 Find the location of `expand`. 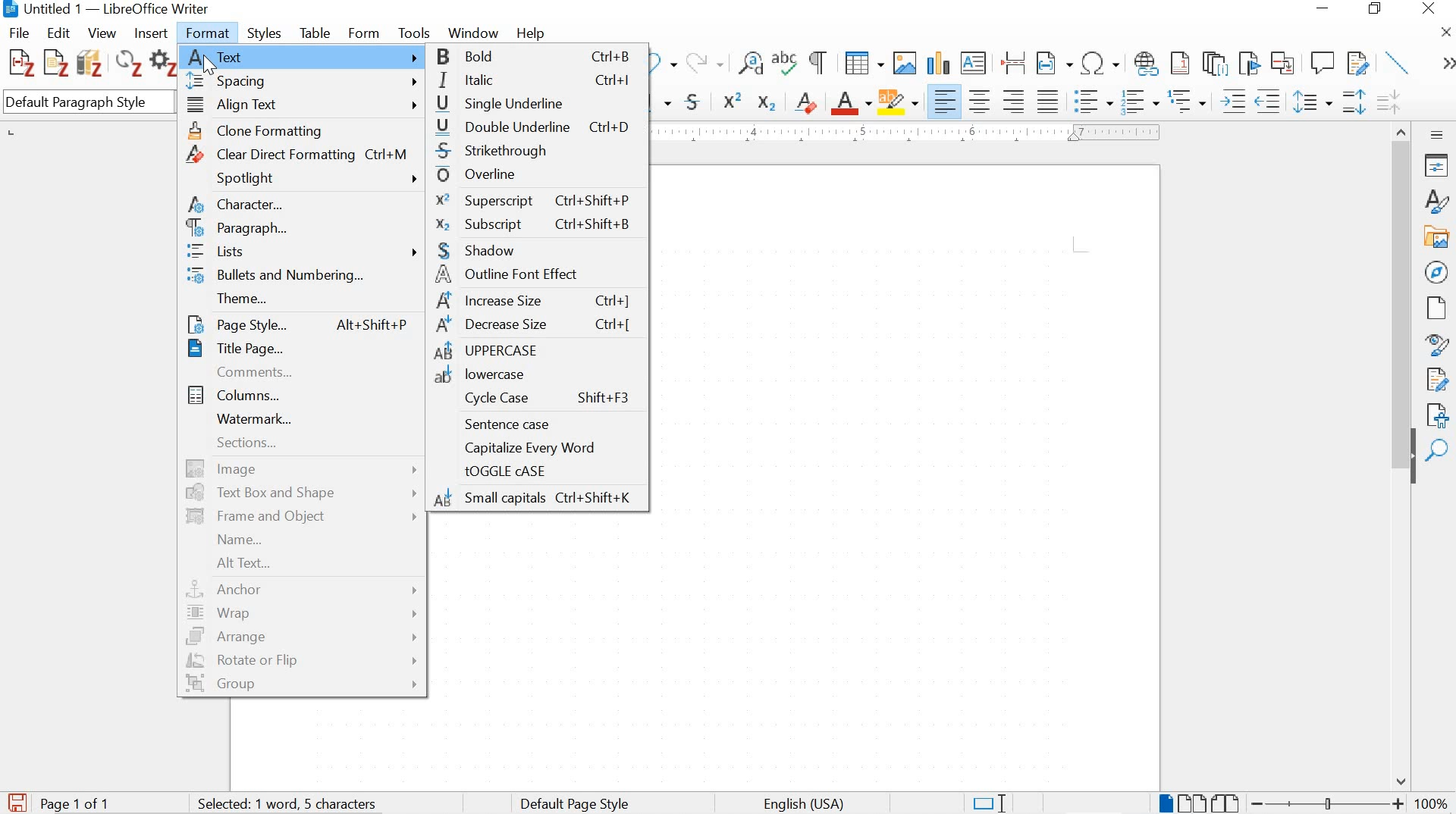

expand is located at coordinates (1445, 64).